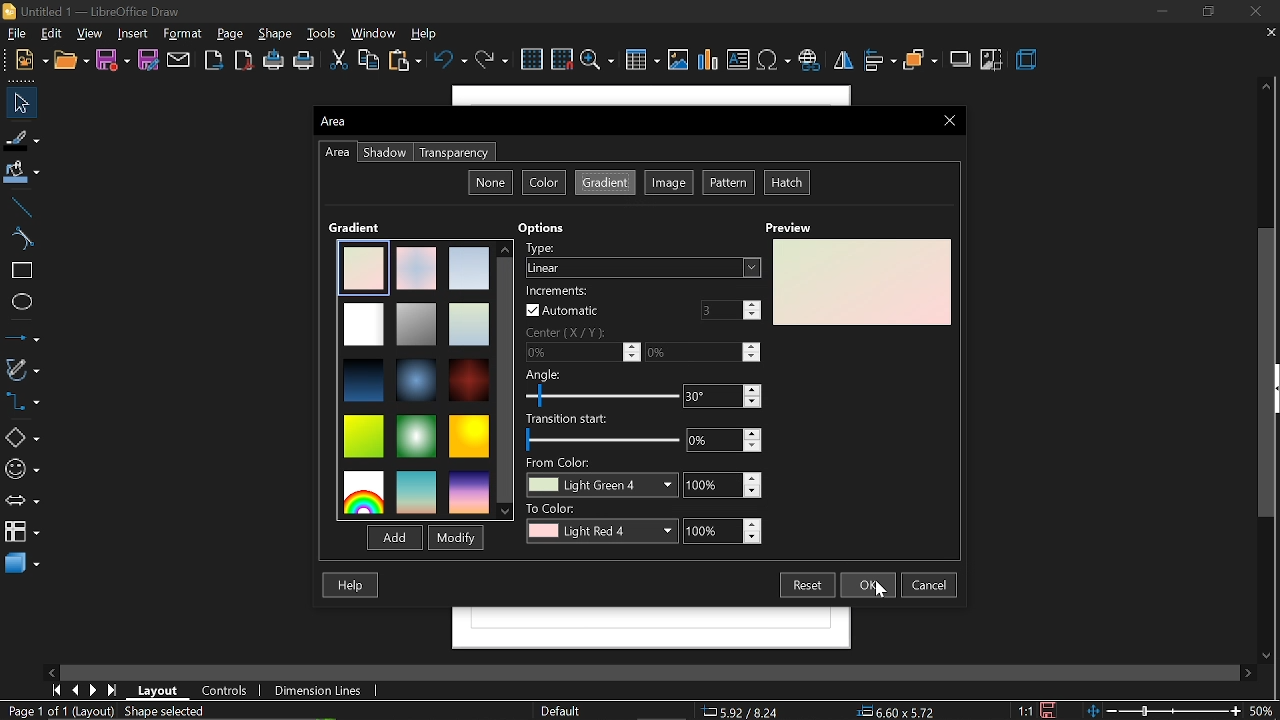 The width and height of the screenshot is (1280, 720). Describe the element at coordinates (112, 691) in the screenshot. I see `go to last page` at that location.